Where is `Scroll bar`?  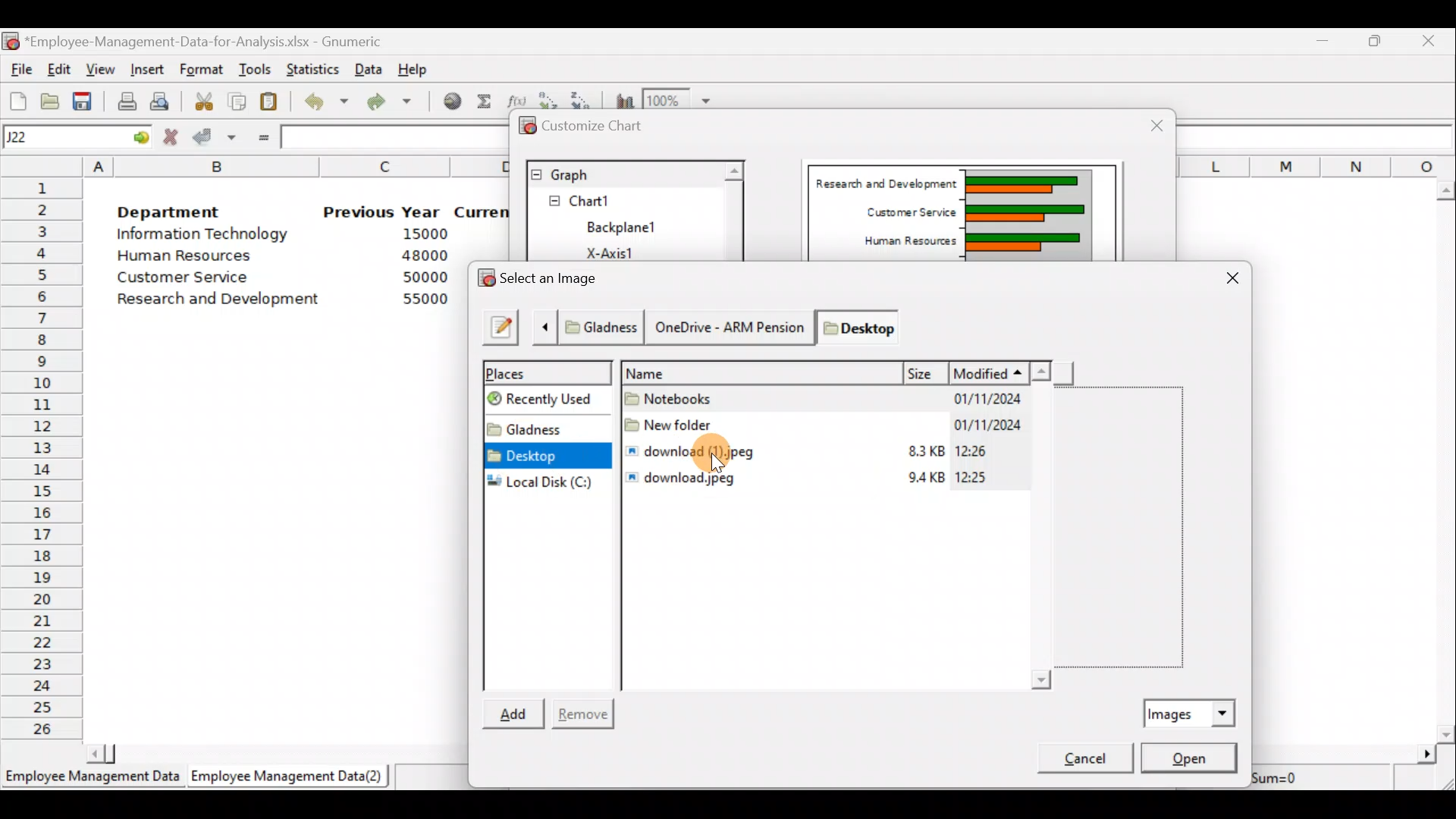
Scroll bar is located at coordinates (1447, 457).